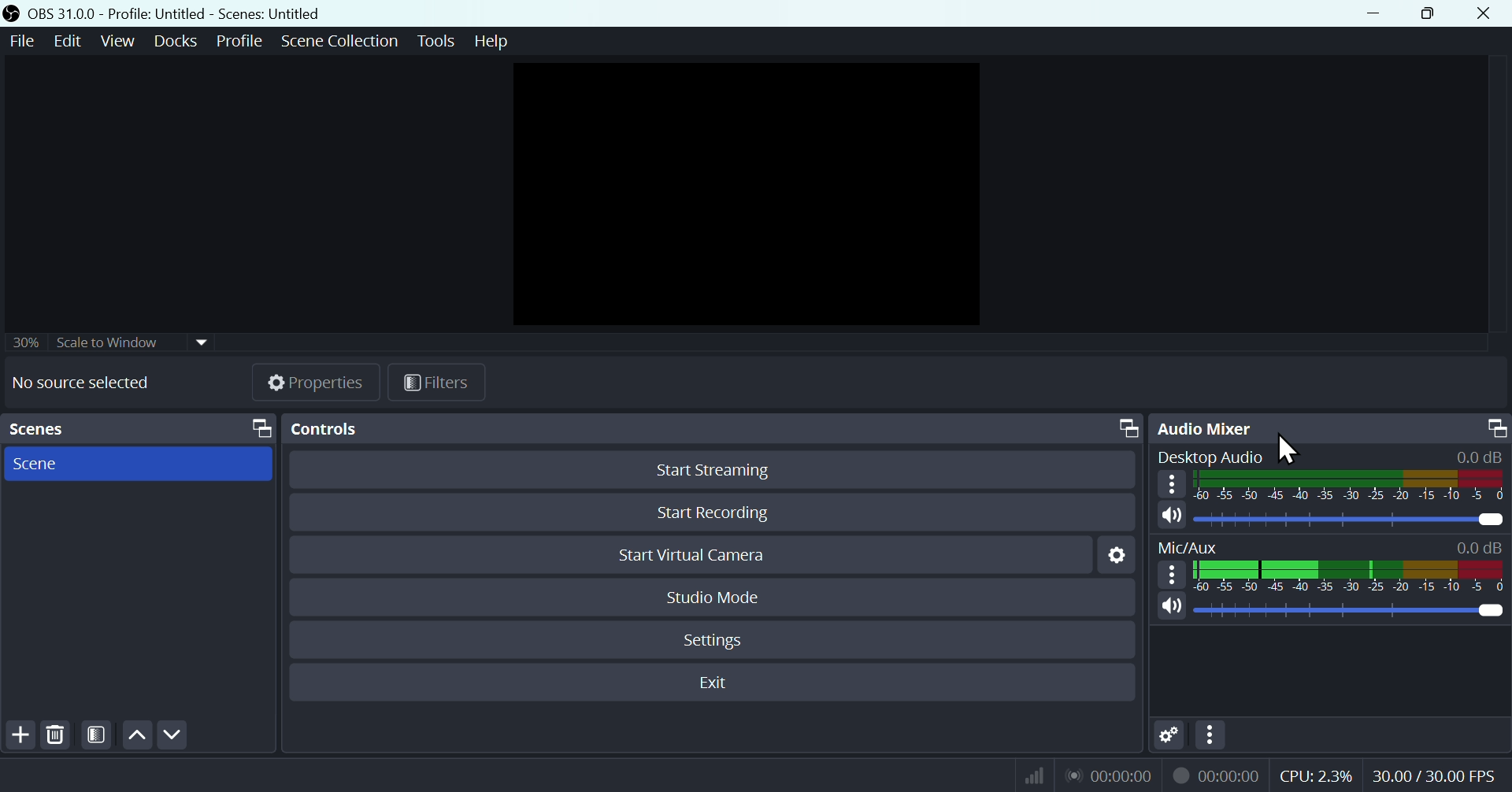 The height and width of the screenshot is (792, 1512). What do you see at coordinates (434, 385) in the screenshot?
I see `Fil` at bounding box center [434, 385].